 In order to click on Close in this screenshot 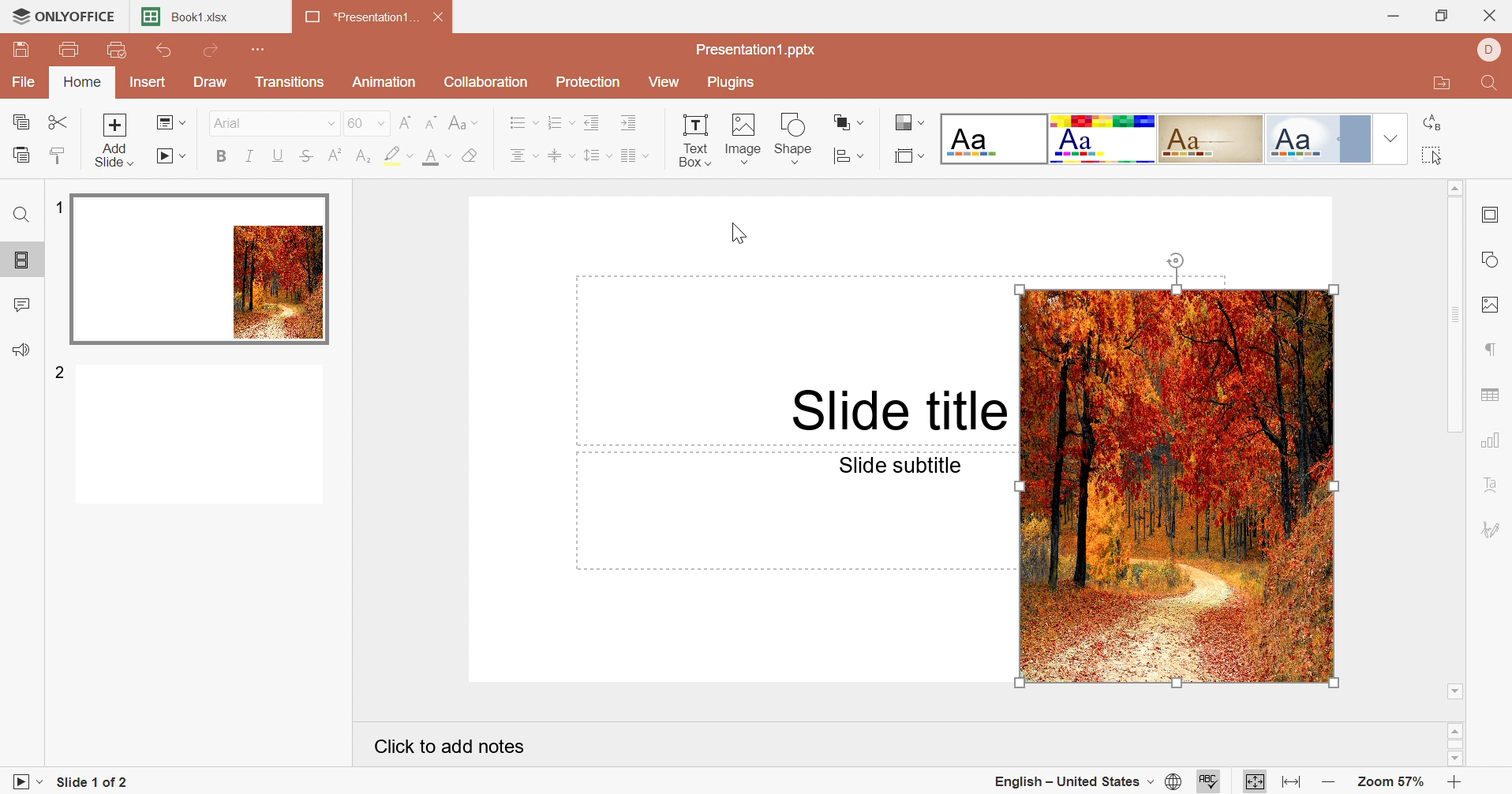, I will do `click(441, 19)`.